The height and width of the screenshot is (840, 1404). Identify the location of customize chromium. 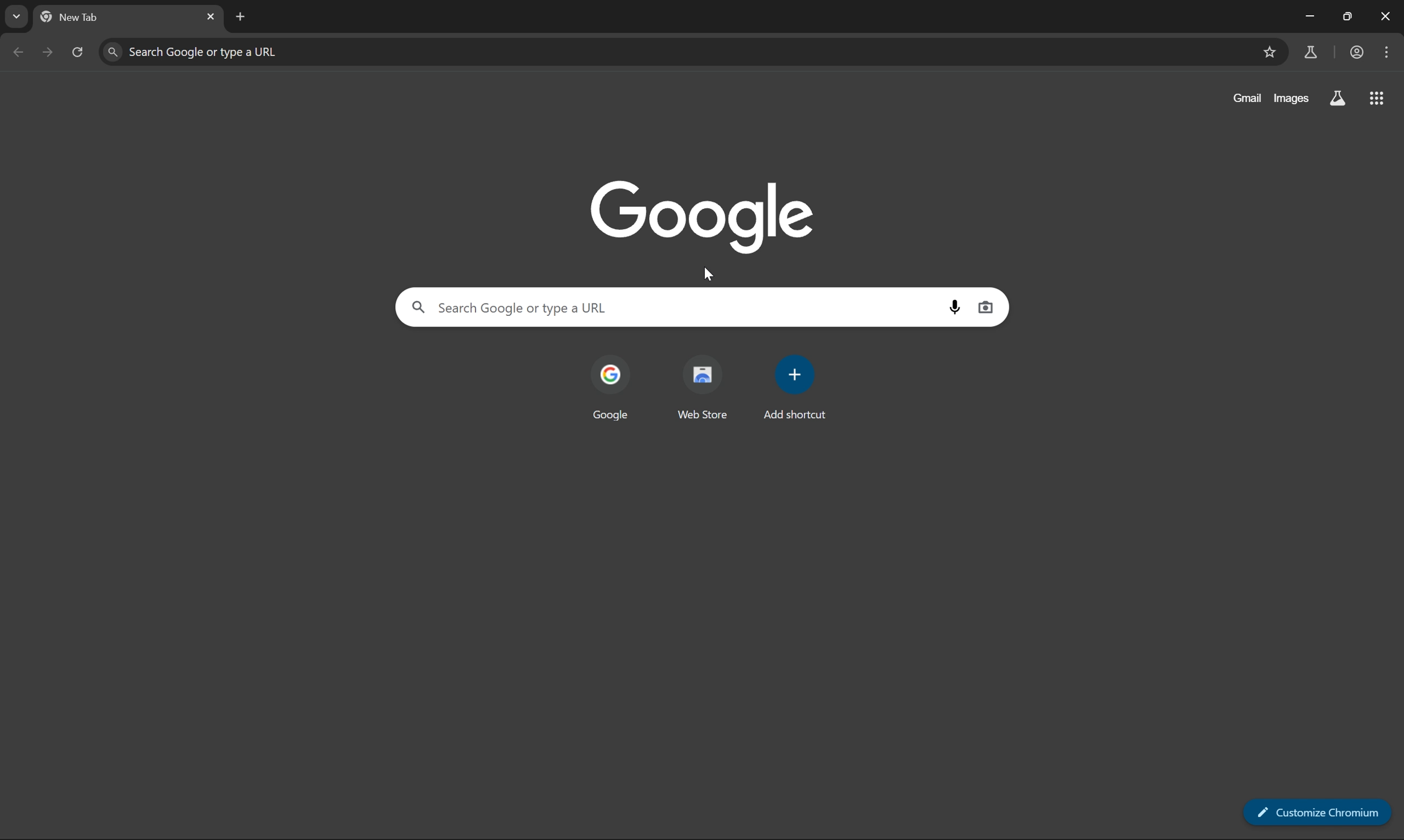
(1318, 811).